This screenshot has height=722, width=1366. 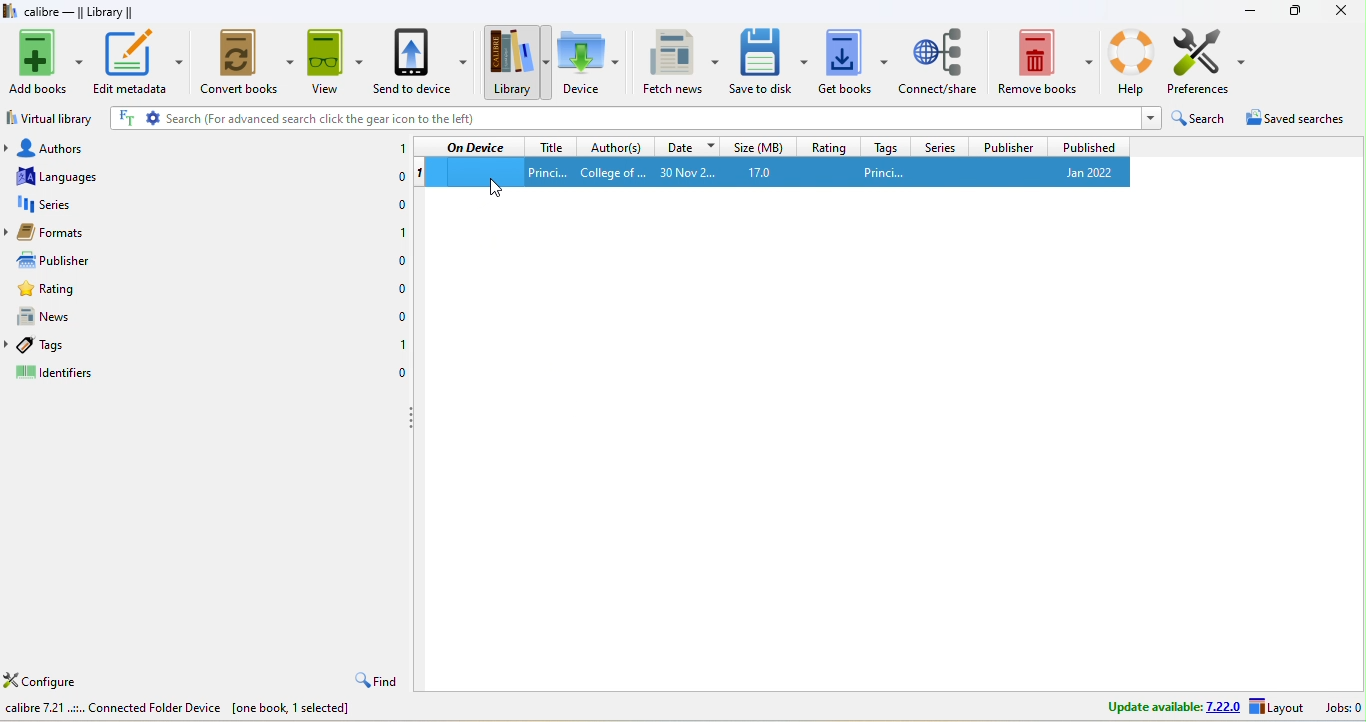 What do you see at coordinates (334, 64) in the screenshot?
I see `view` at bounding box center [334, 64].